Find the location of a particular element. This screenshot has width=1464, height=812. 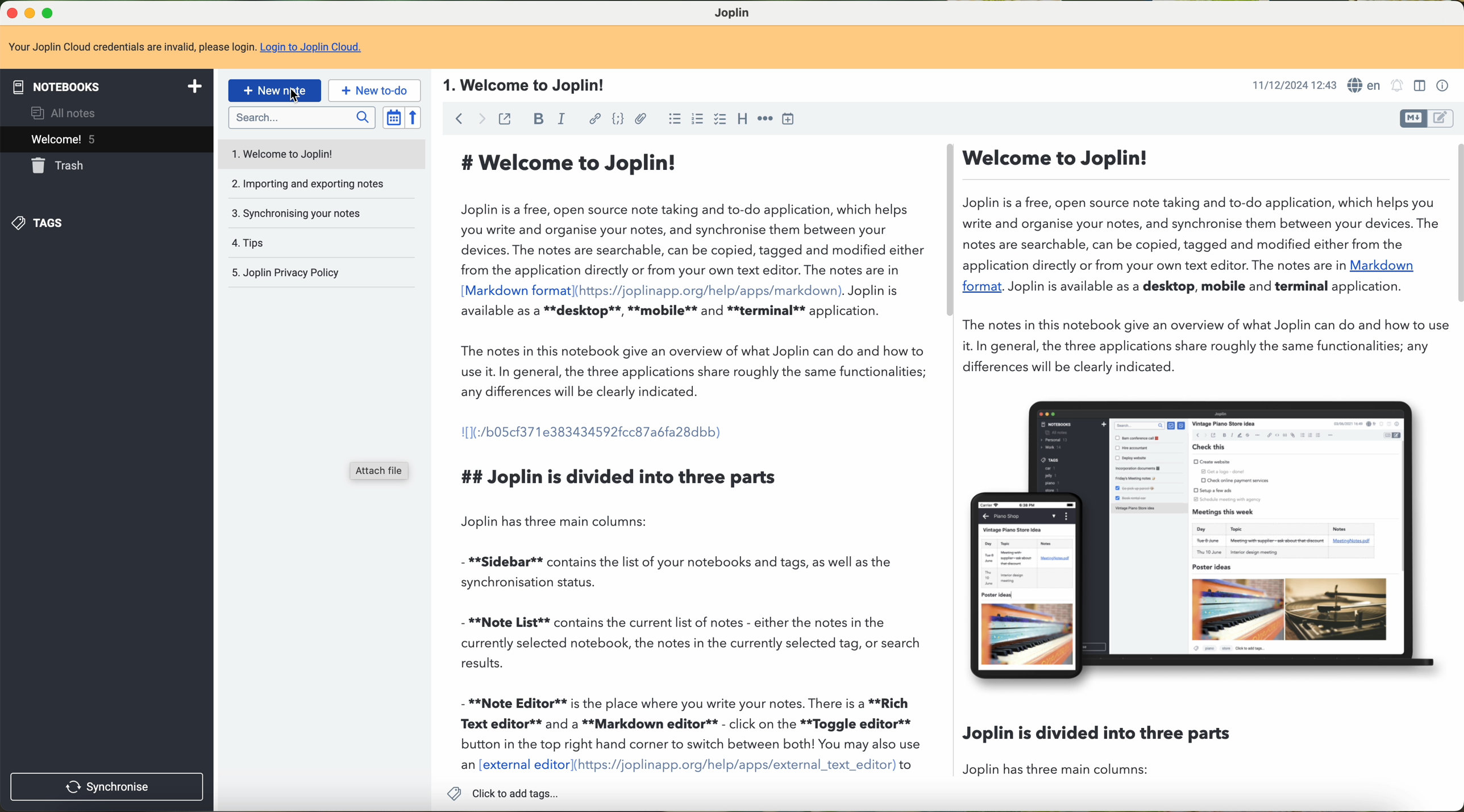

synchronising your notes is located at coordinates (296, 214).